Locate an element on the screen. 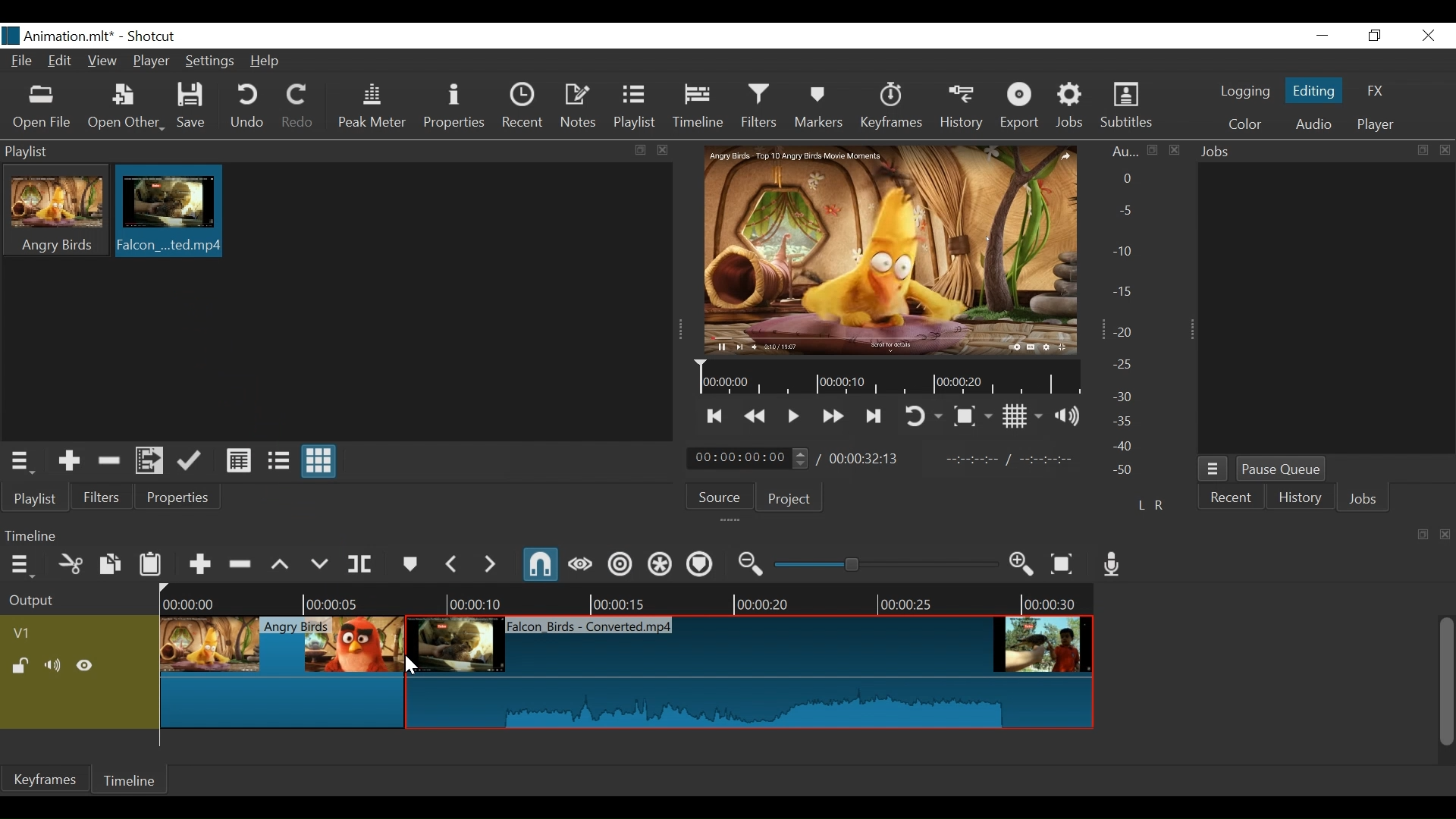  Media Viewer is located at coordinates (890, 249).